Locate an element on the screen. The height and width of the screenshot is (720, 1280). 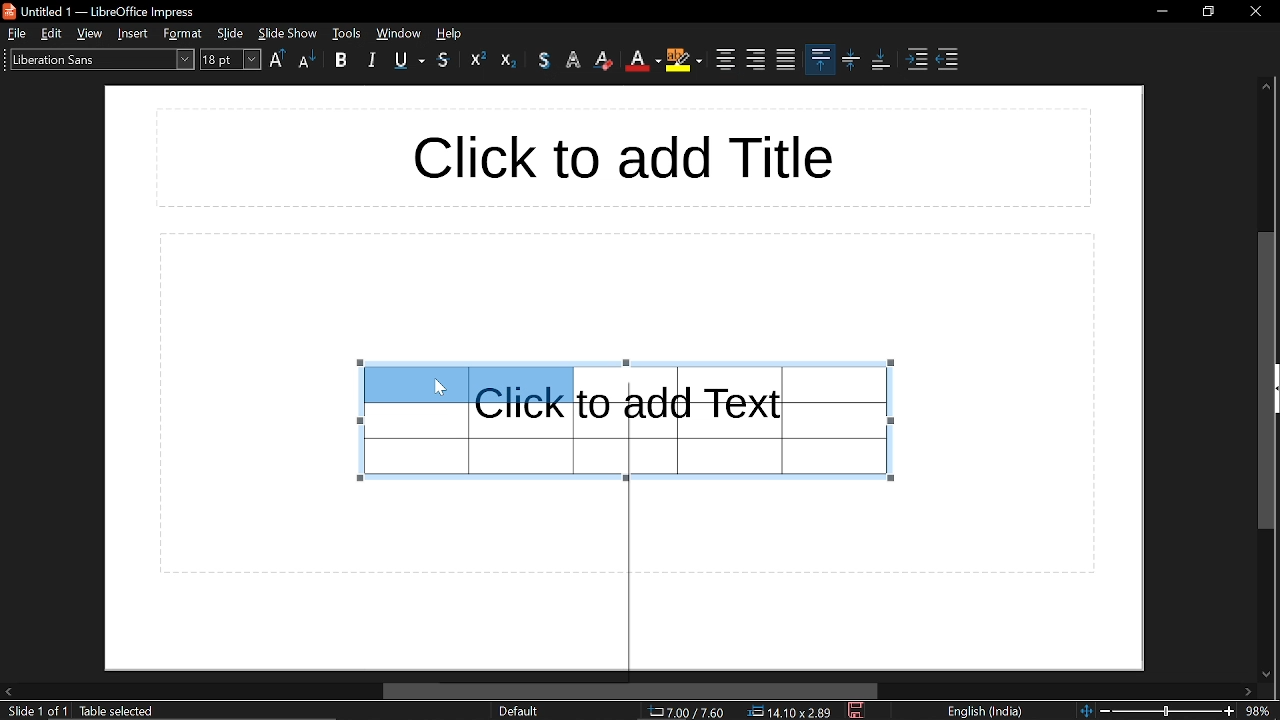
zoom level is located at coordinates (1260, 710).